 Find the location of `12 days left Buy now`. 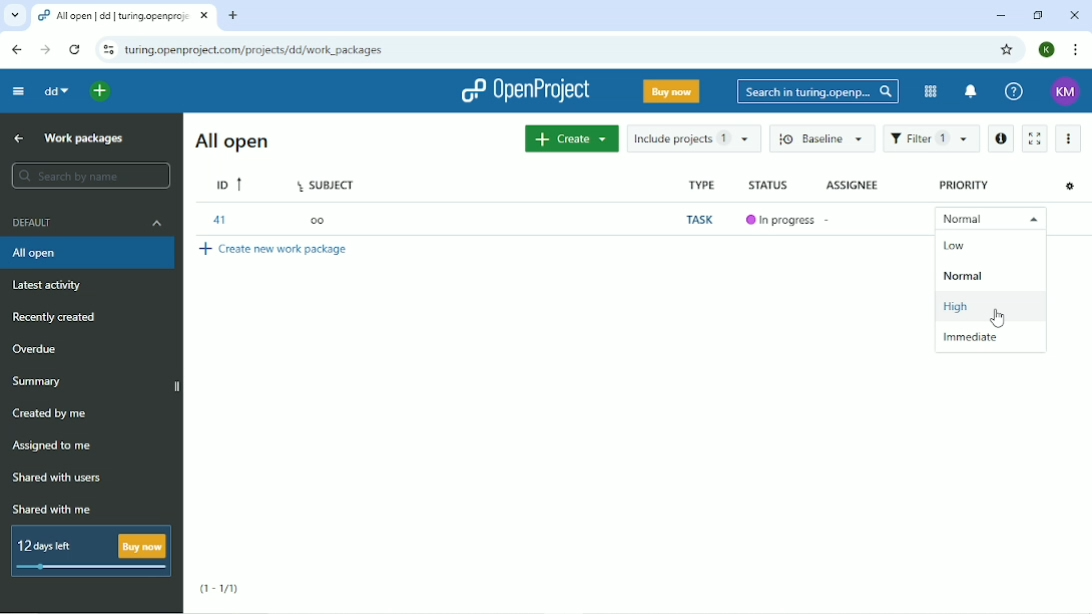

12 days left Buy now is located at coordinates (88, 551).